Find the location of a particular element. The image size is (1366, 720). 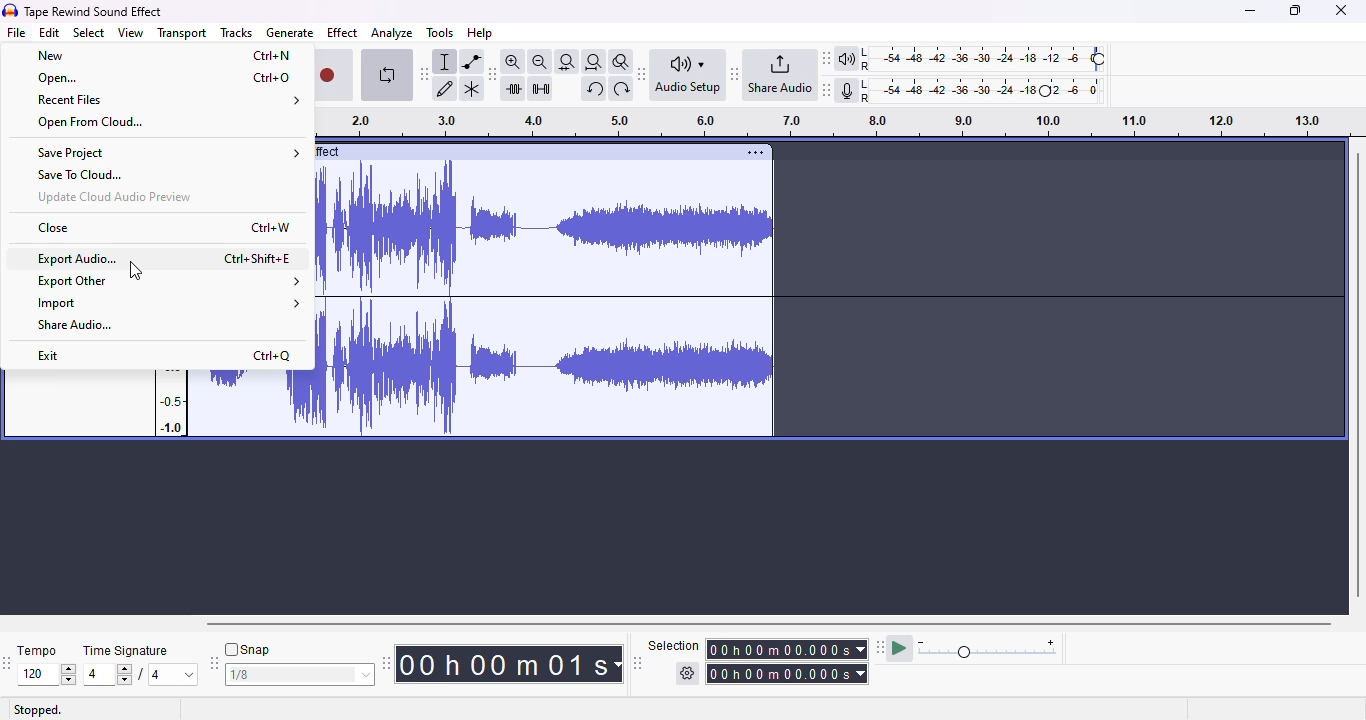

save project is located at coordinates (165, 153).